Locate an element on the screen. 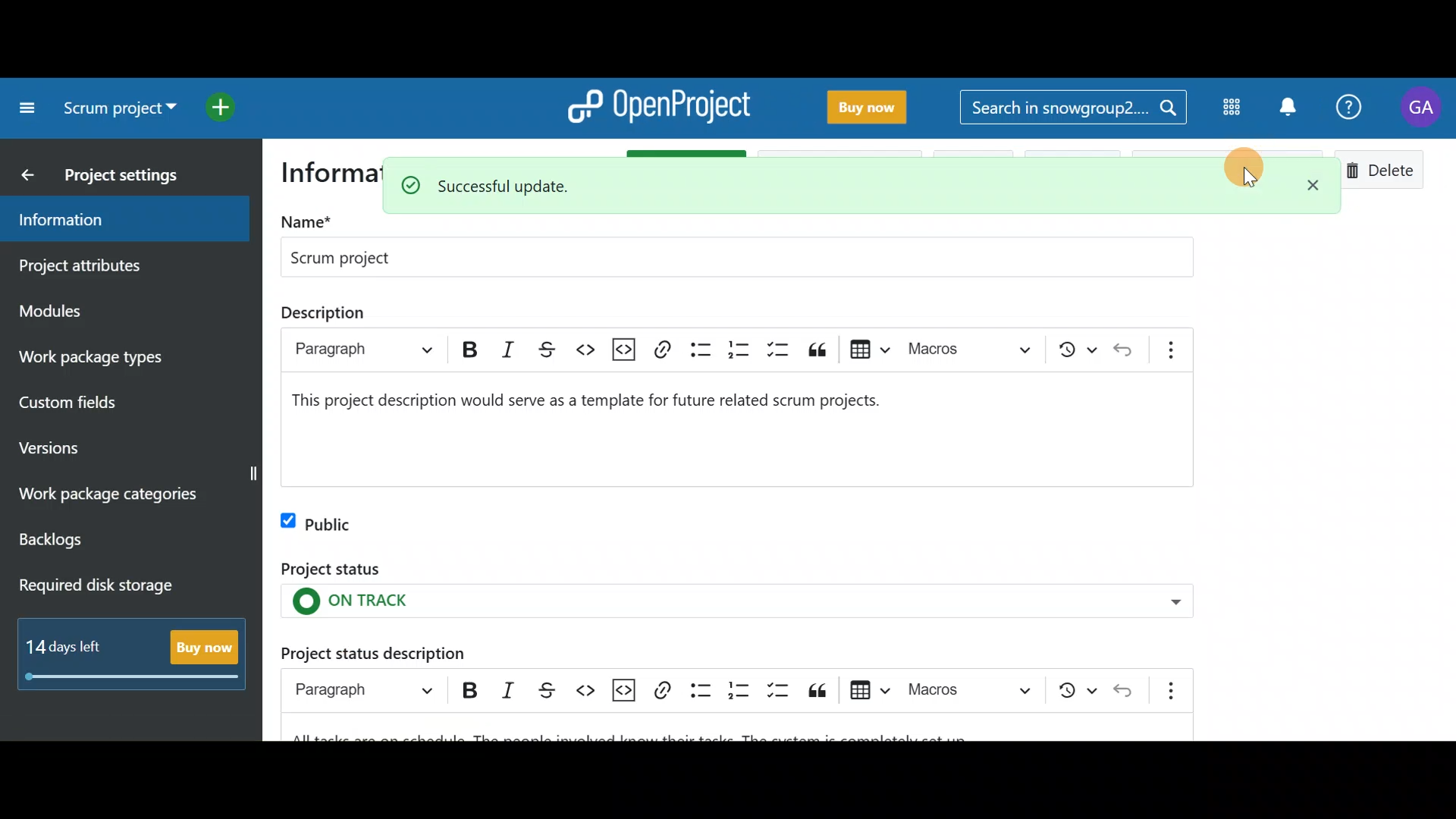 The height and width of the screenshot is (819, 1456). Code is located at coordinates (587, 689).